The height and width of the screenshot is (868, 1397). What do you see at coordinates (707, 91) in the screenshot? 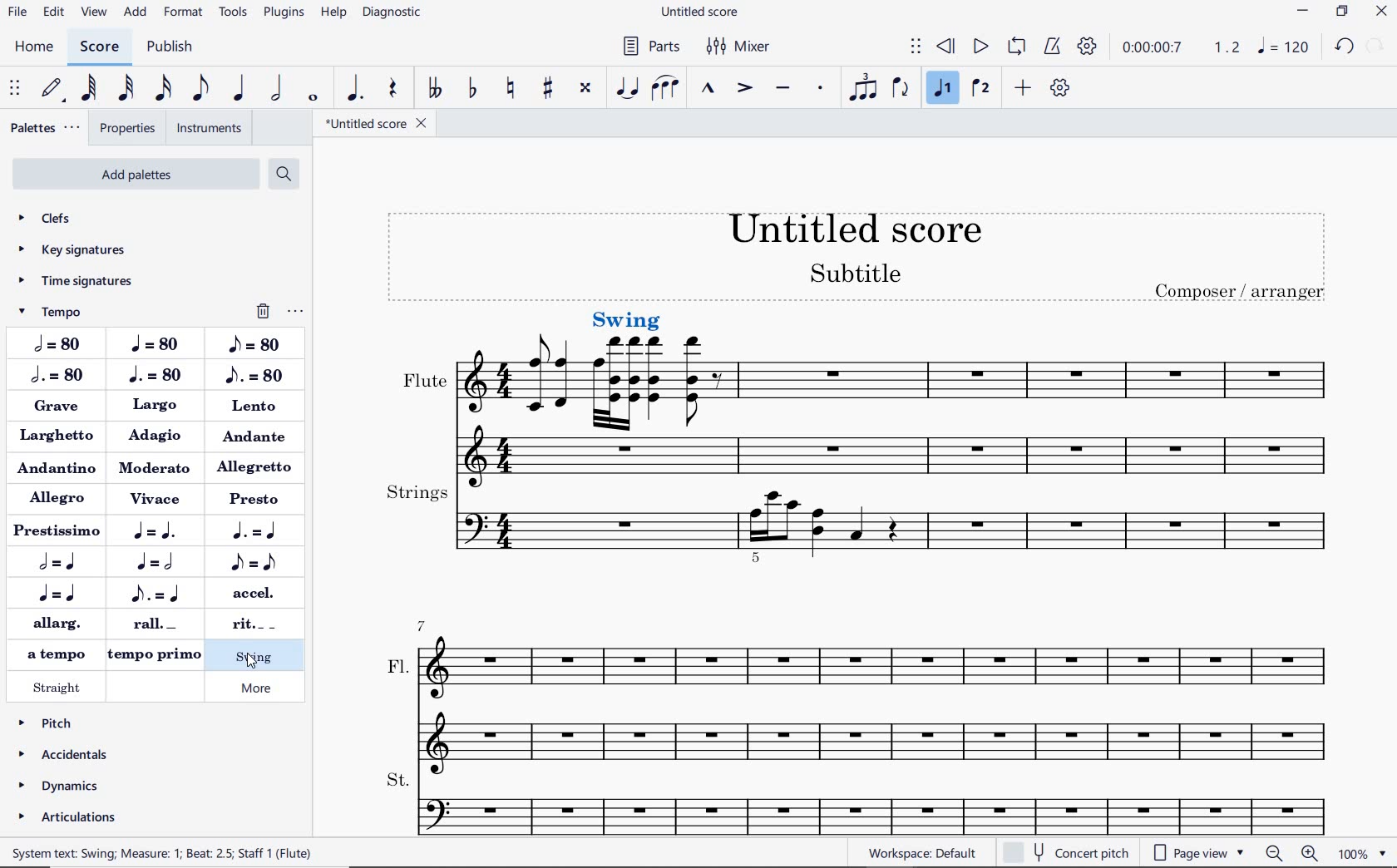
I see `MARCATO` at bounding box center [707, 91].